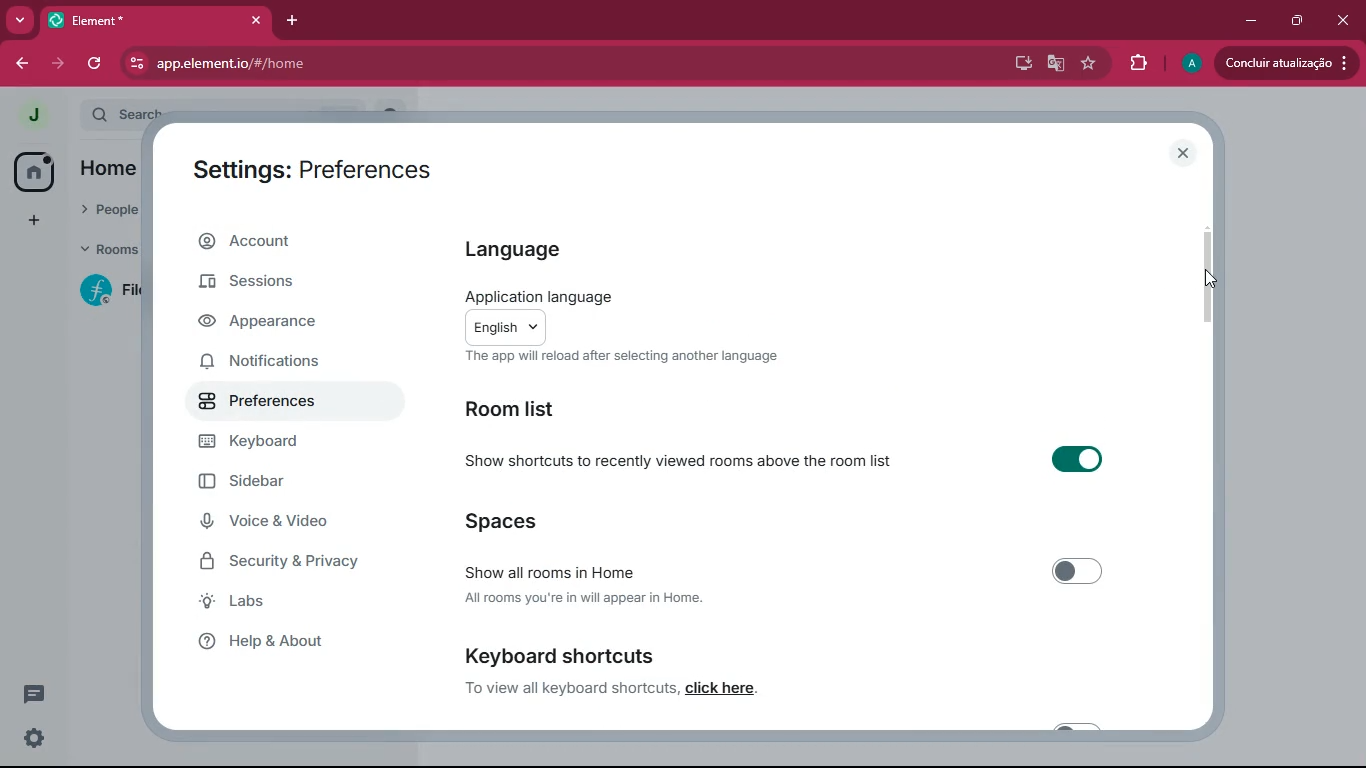 The image size is (1366, 768). Describe the element at coordinates (1215, 285) in the screenshot. I see `cursor` at that location.